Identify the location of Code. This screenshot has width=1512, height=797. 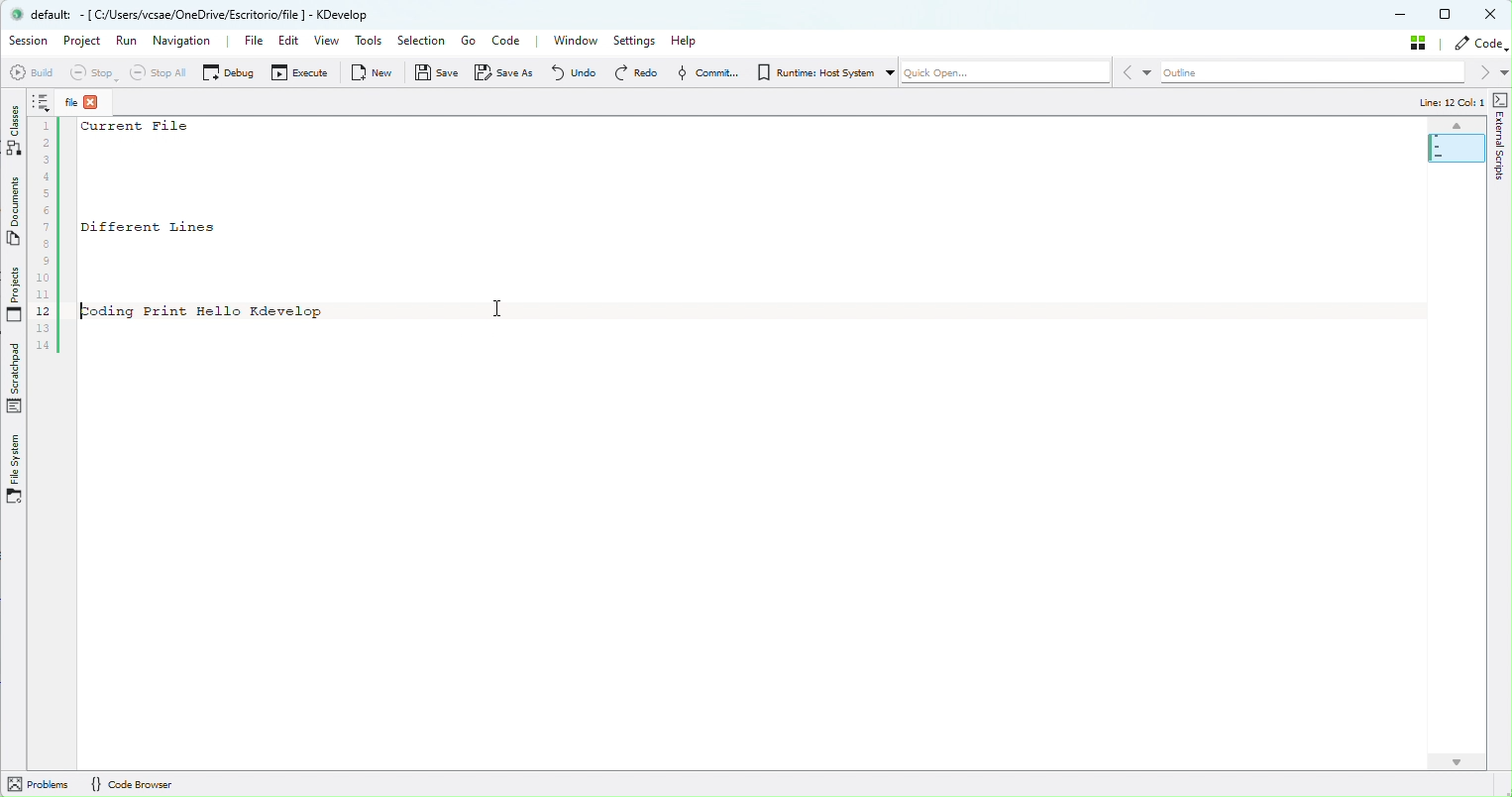
(1479, 43).